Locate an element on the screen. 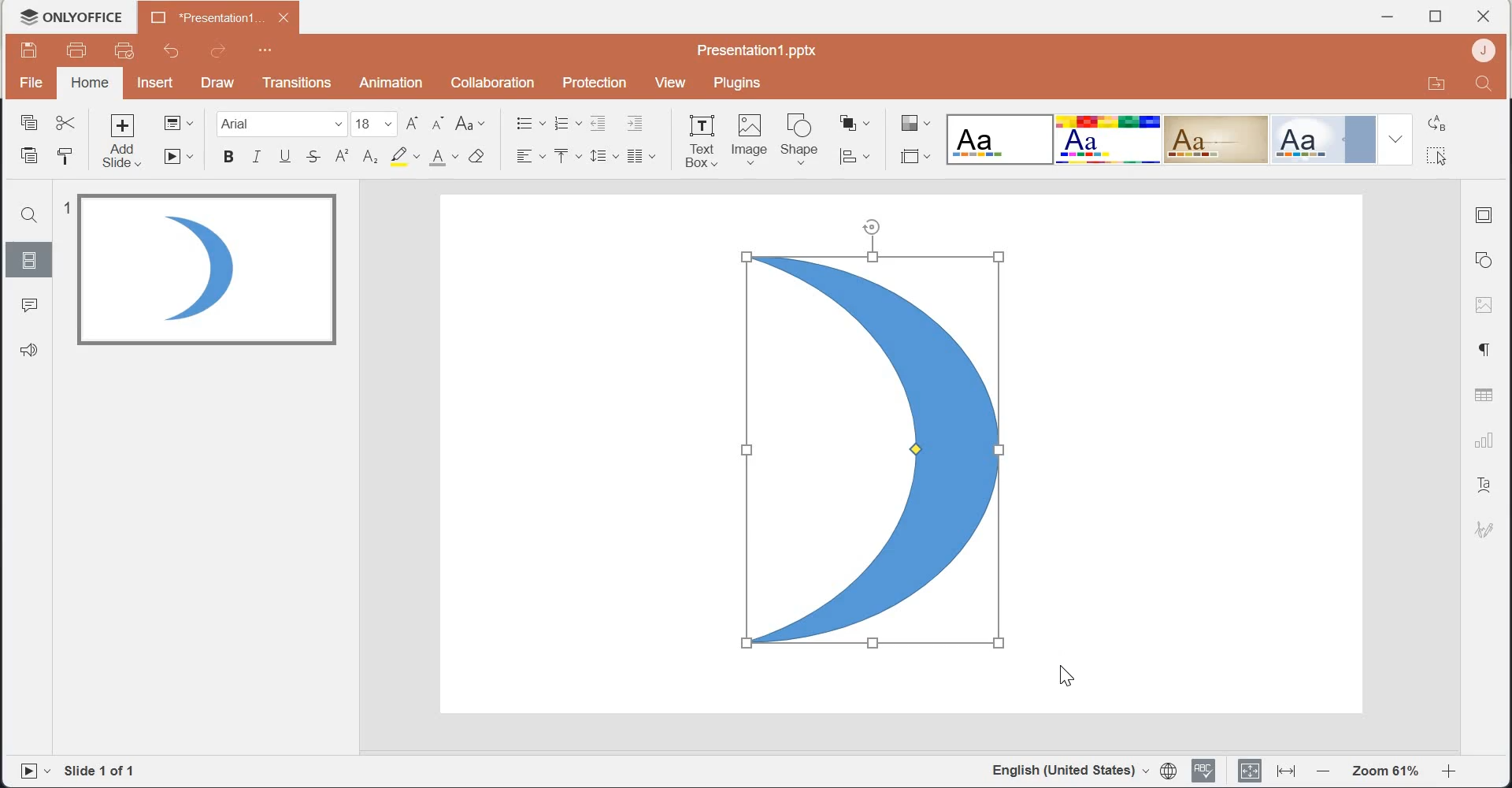 Image resolution: width=1512 pixels, height=788 pixels. Decrease Indent is located at coordinates (600, 123).